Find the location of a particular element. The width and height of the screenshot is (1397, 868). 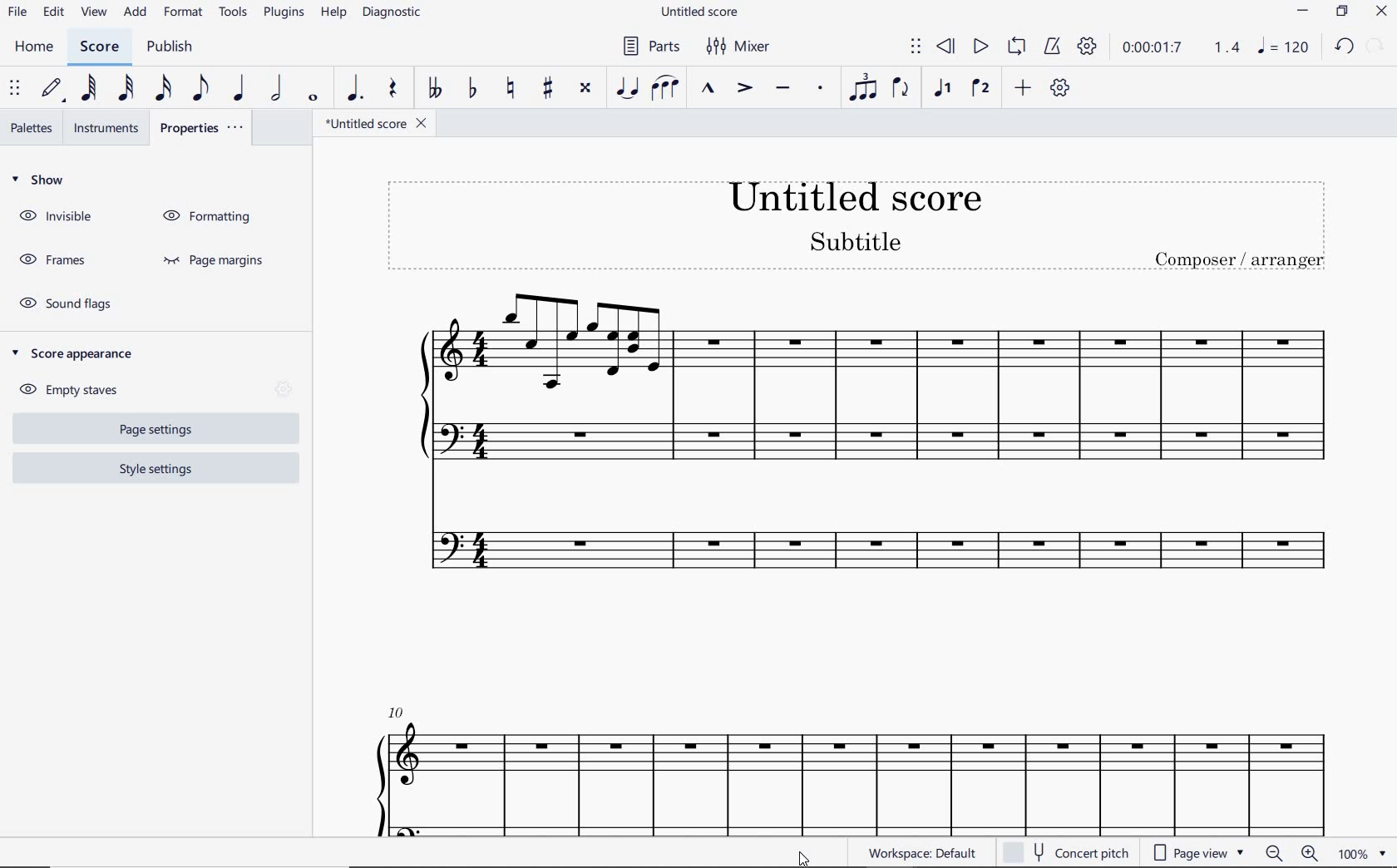

PLAY TIME is located at coordinates (1178, 47).